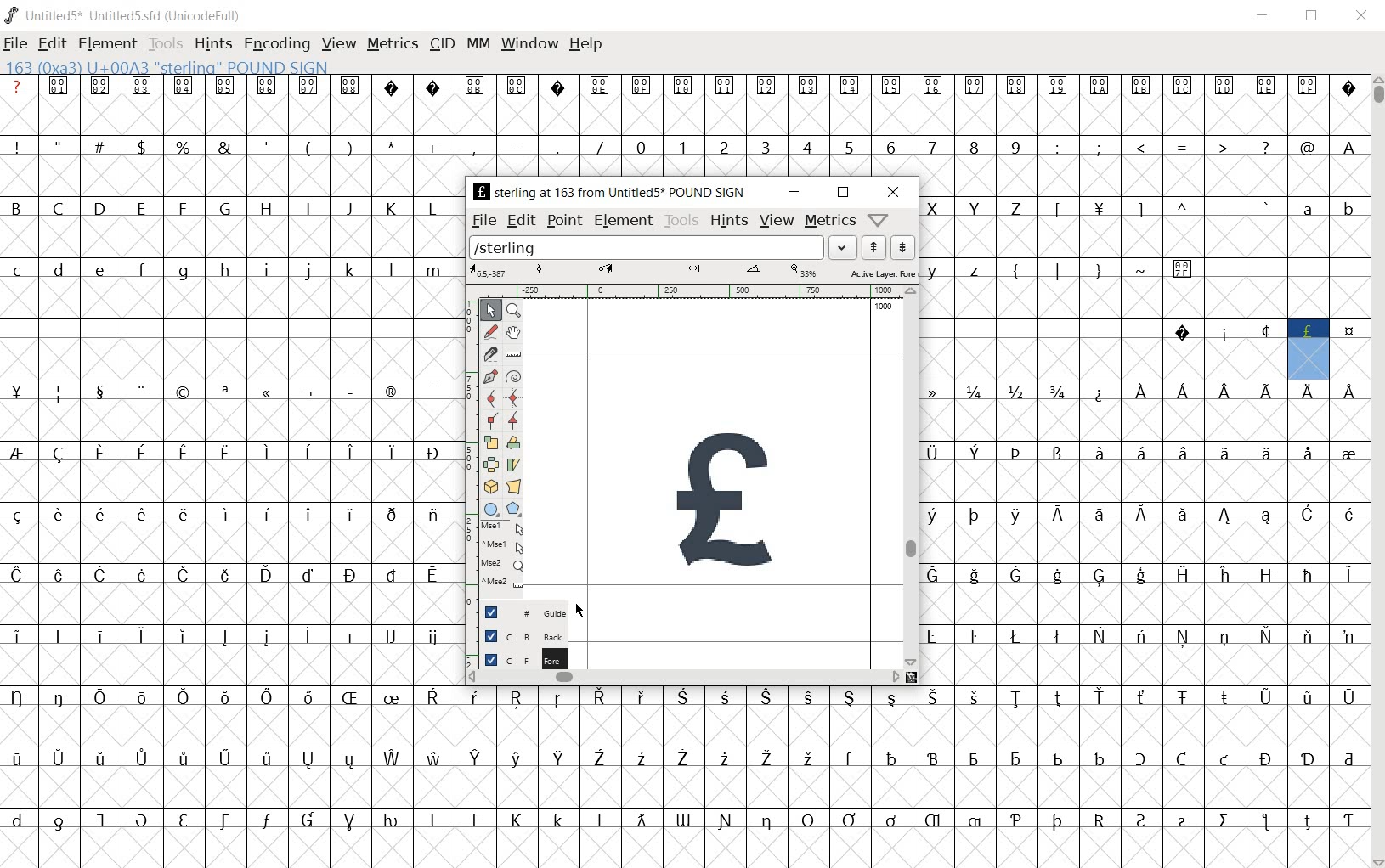 The height and width of the screenshot is (868, 1385). Describe the element at coordinates (225, 759) in the screenshot. I see `Symbol` at that location.